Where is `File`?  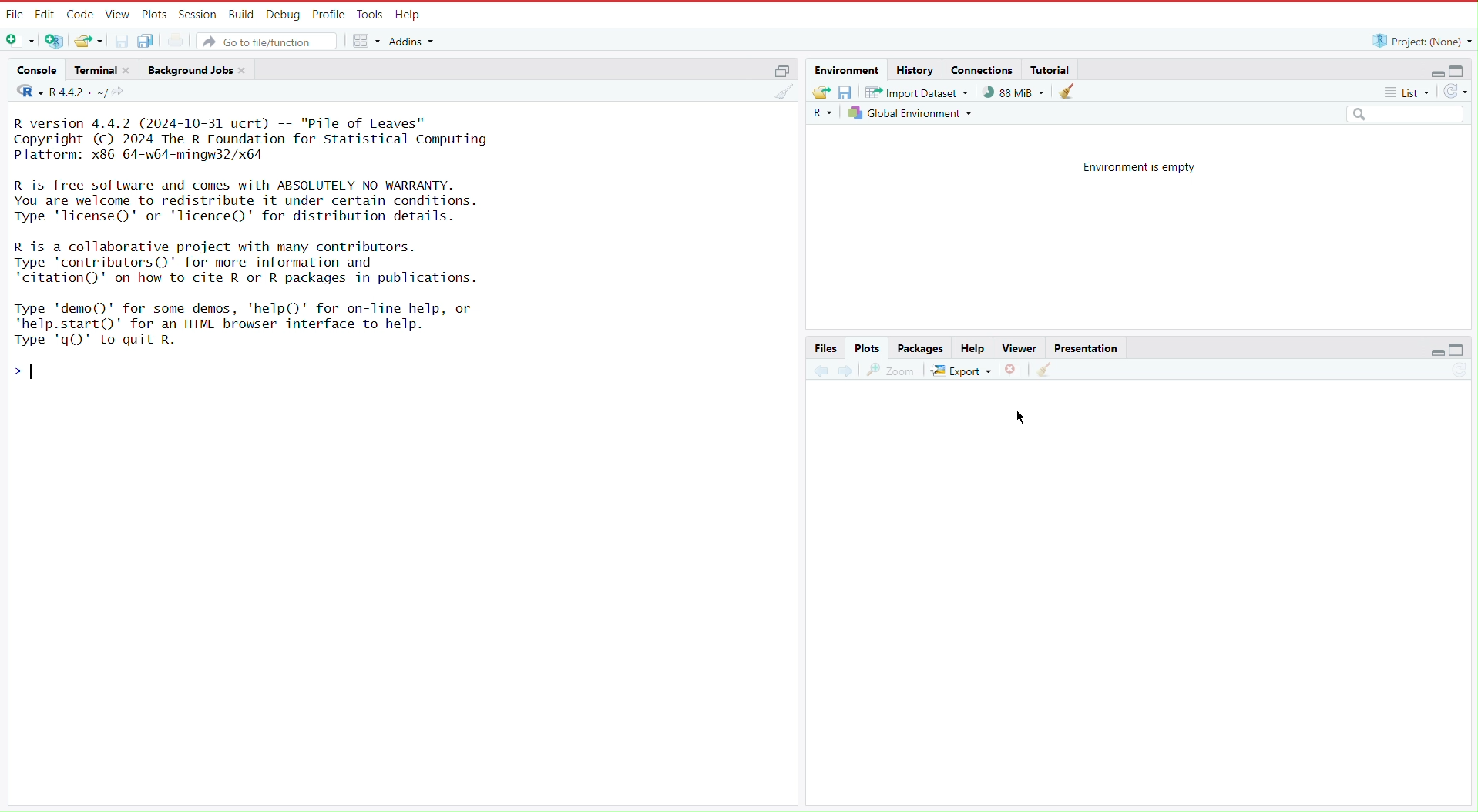 File is located at coordinates (14, 15).